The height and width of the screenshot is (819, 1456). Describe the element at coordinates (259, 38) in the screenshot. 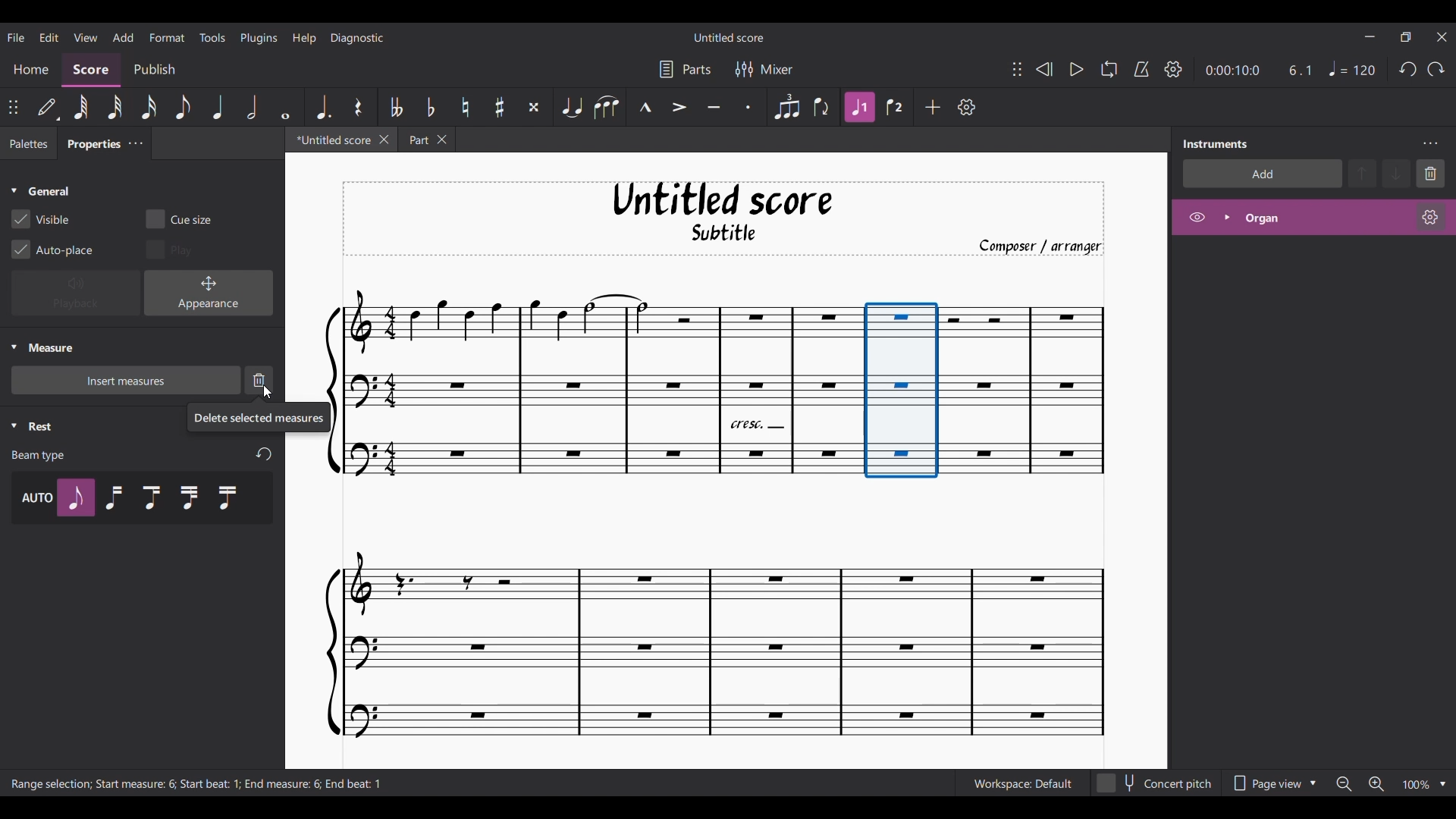

I see `Plugins menu` at that location.